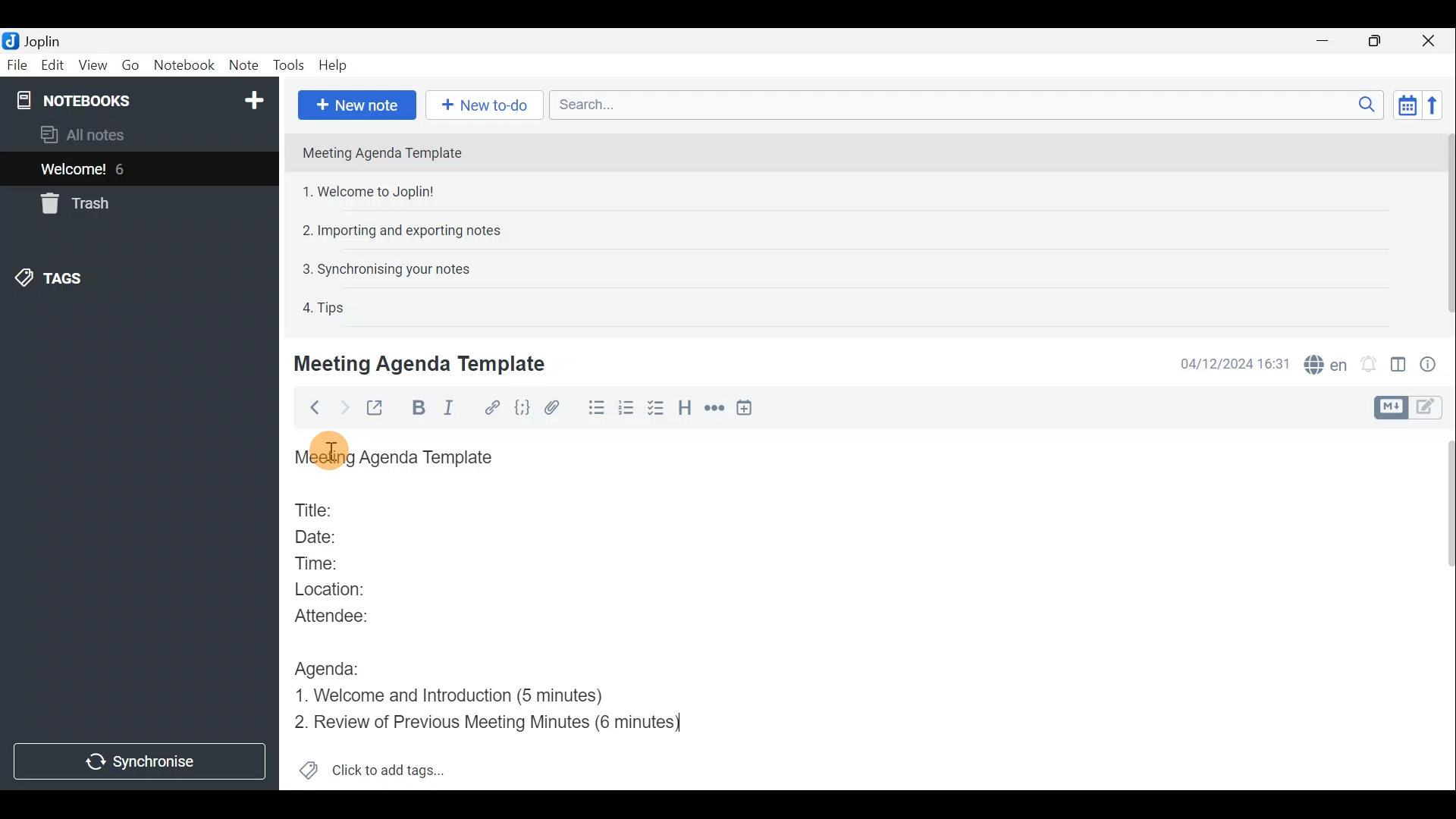  I want to click on Review of Previous Meeting Minutes (6 minutes), so click(501, 722).